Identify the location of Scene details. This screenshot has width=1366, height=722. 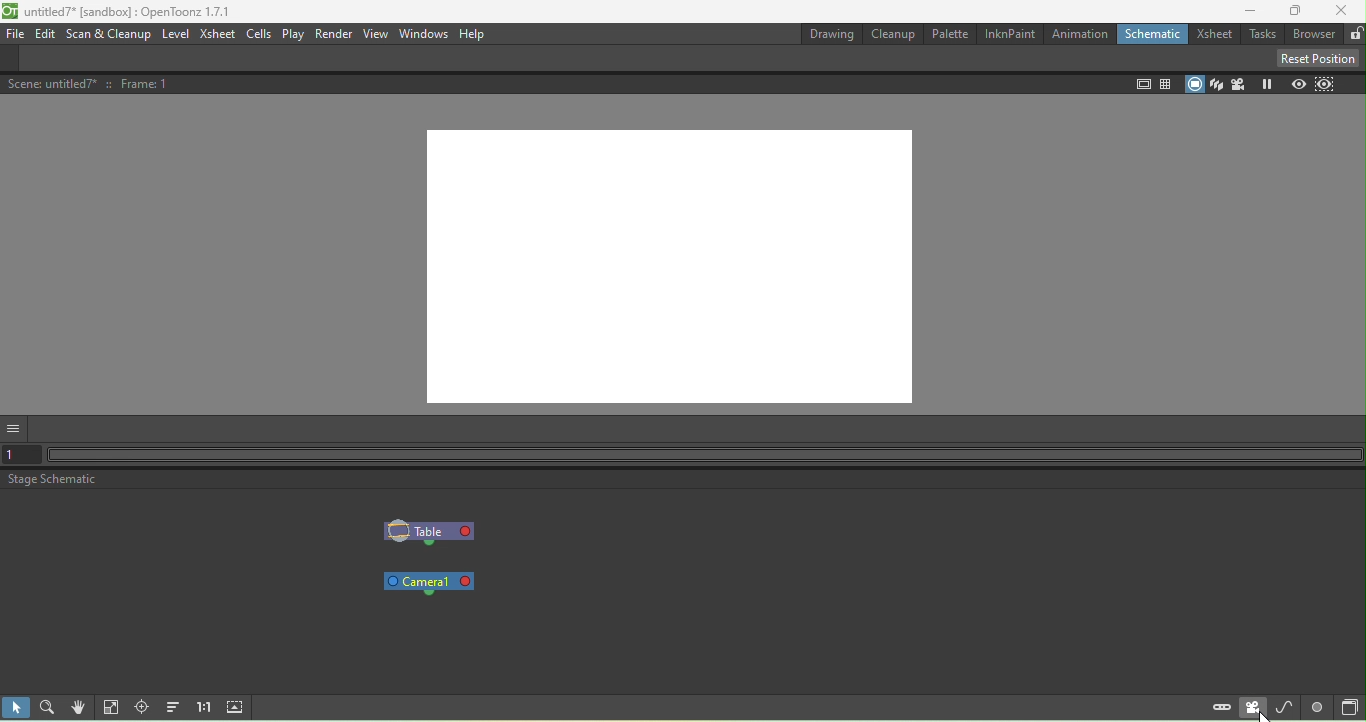
(94, 85).